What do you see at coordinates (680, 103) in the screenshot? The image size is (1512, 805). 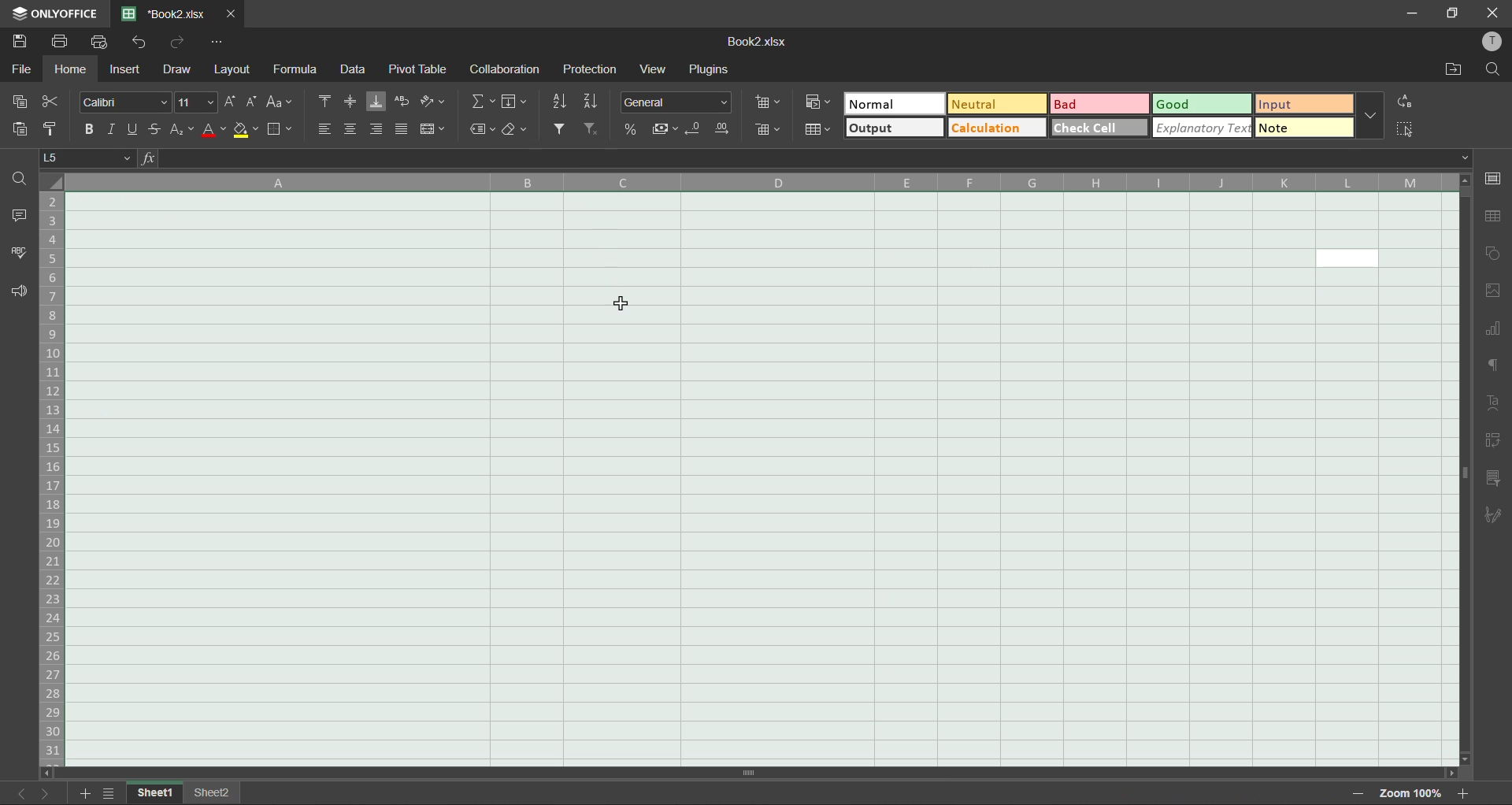 I see `number font` at bounding box center [680, 103].